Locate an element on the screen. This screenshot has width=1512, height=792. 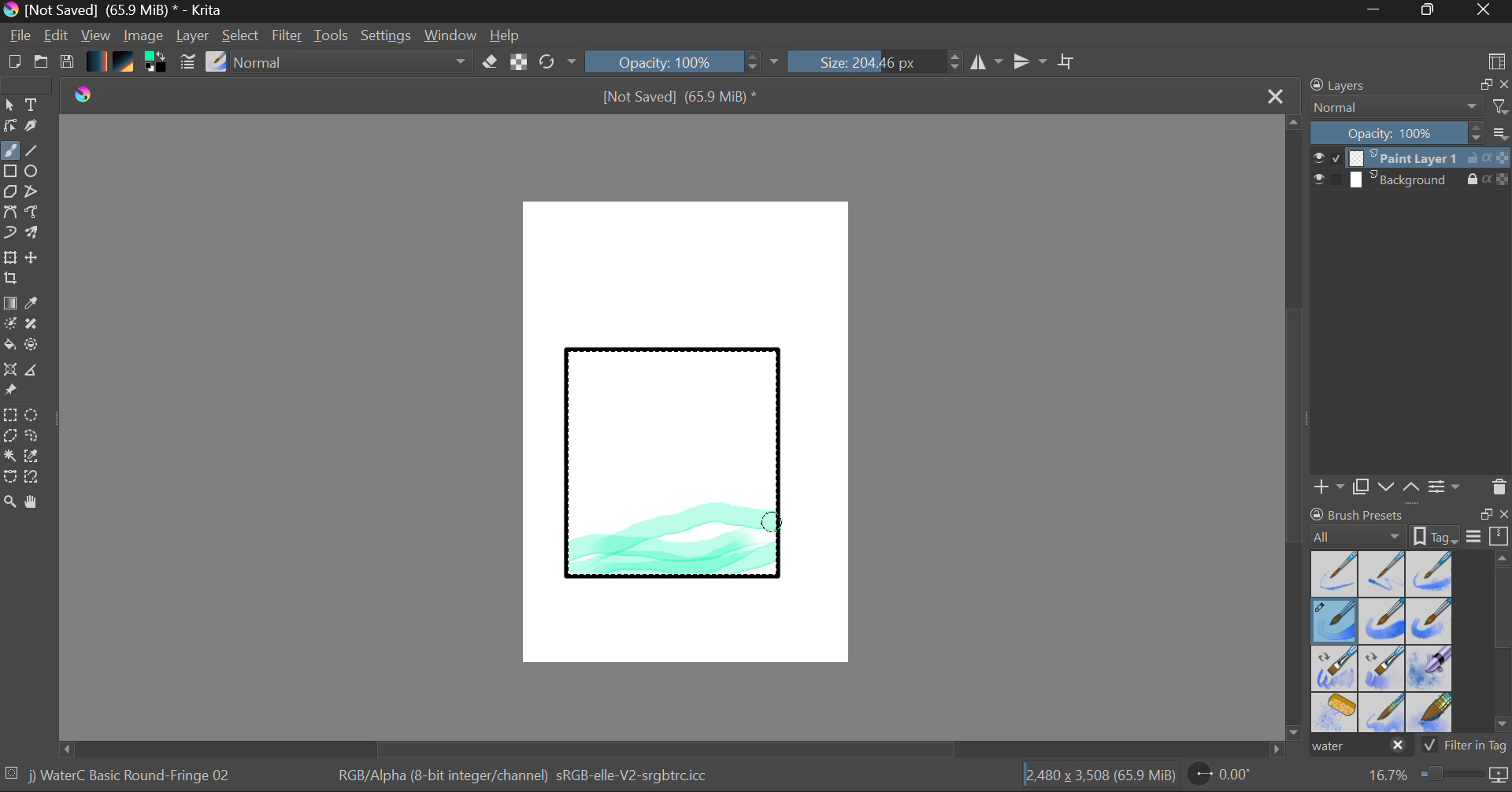
Save is located at coordinates (66, 63).